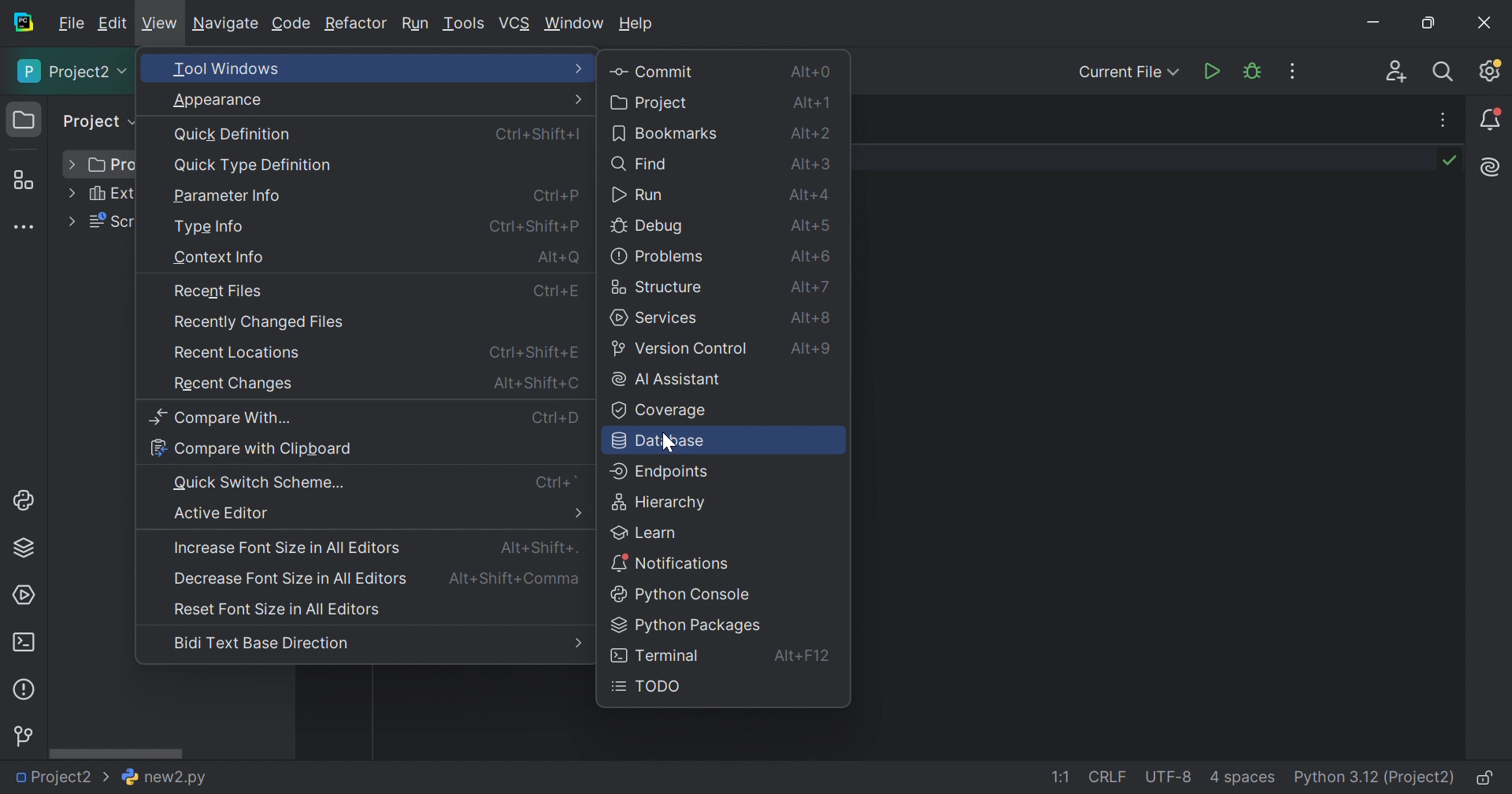  Describe the element at coordinates (218, 100) in the screenshot. I see `Appearance` at that location.